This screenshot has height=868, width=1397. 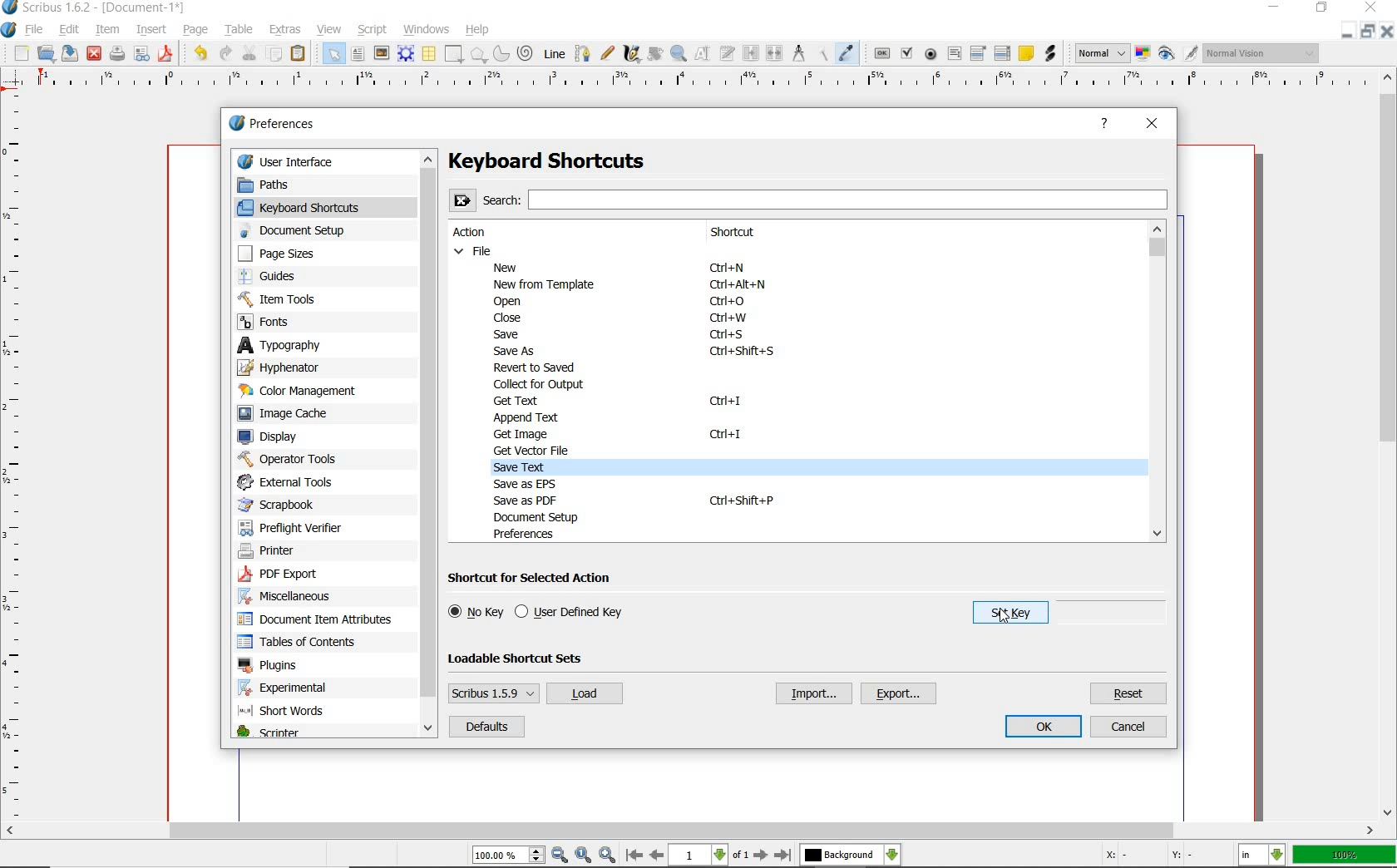 What do you see at coordinates (1153, 126) in the screenshot?
I see `close` at bounding box center [1153, 126].